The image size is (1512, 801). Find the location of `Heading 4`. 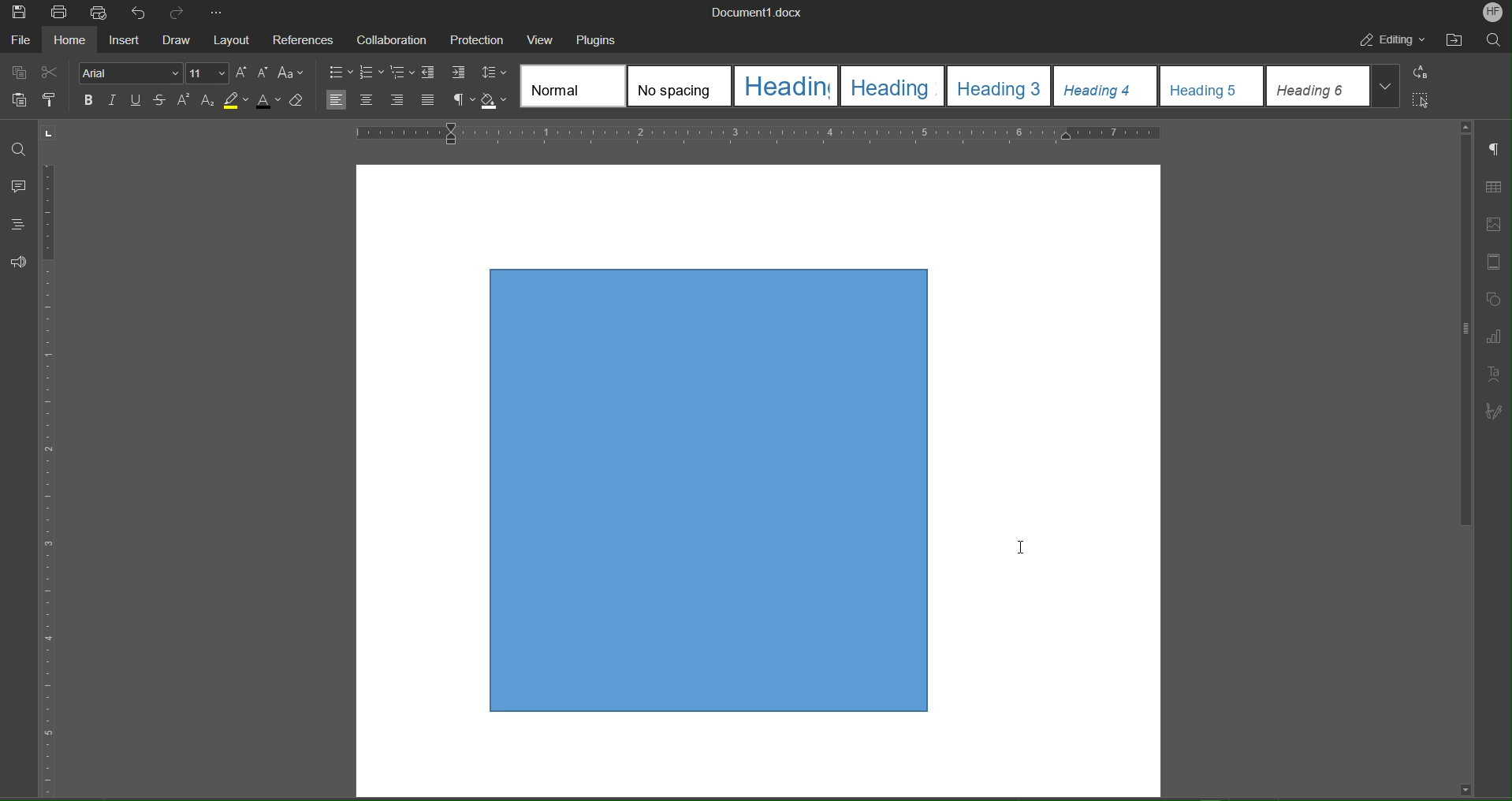

Heading 4 is located at coordinates (1103, 86).